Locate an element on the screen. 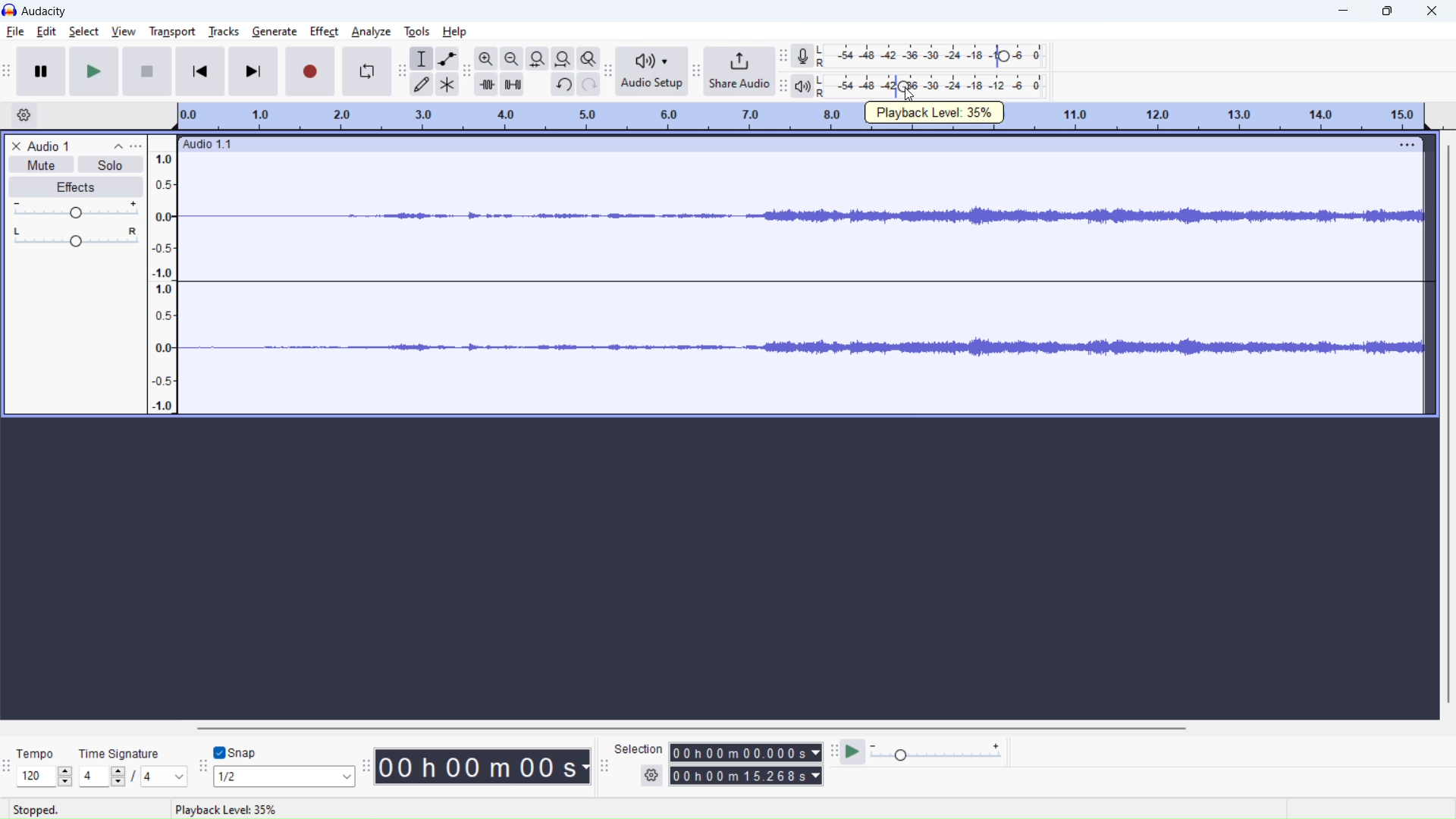 The height and width of the screenshot is (819, 1456). volume is located at coordinates (75, 209).